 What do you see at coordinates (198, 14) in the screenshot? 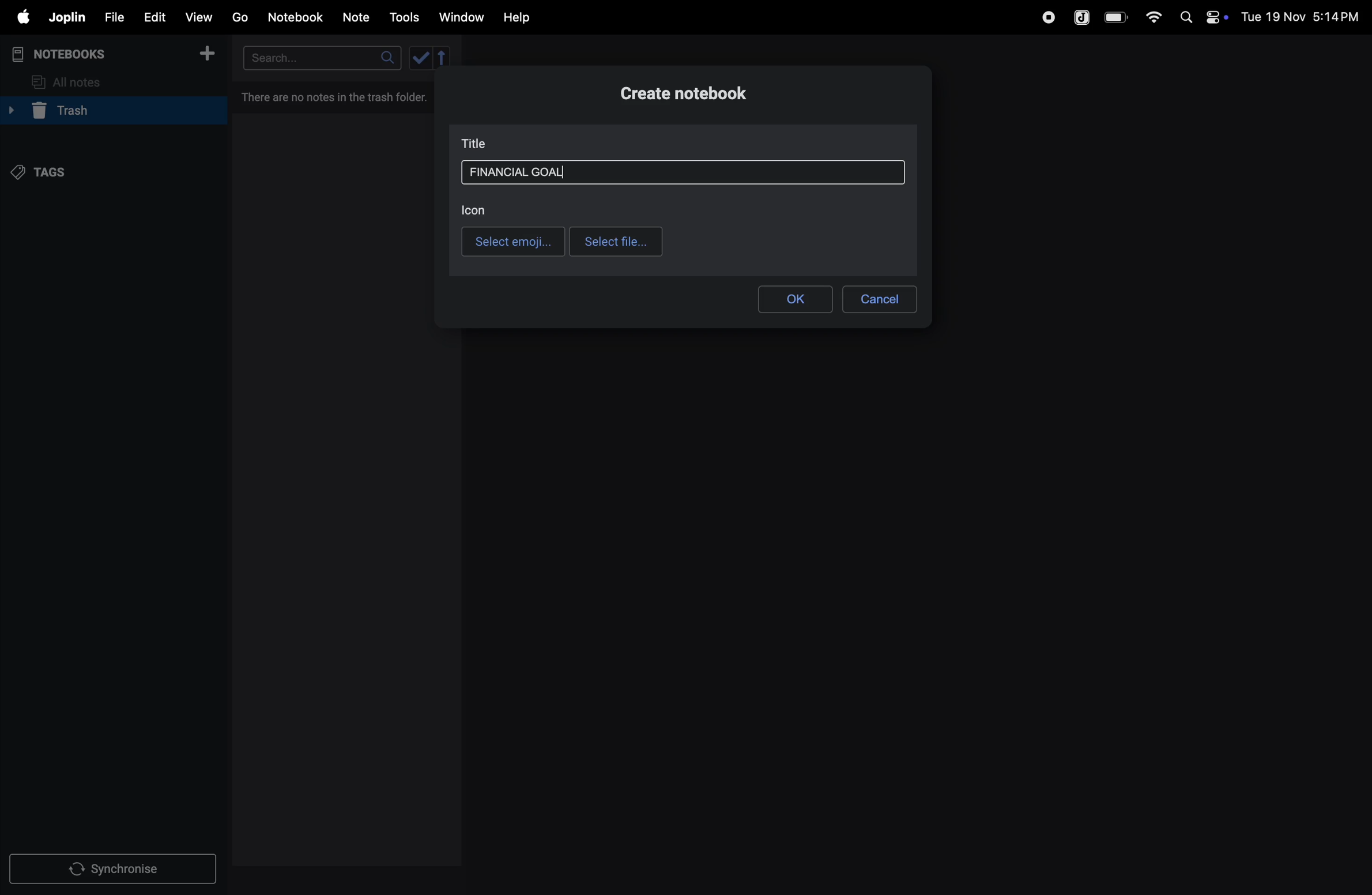
I see `view` at bounding box center [198, 14].